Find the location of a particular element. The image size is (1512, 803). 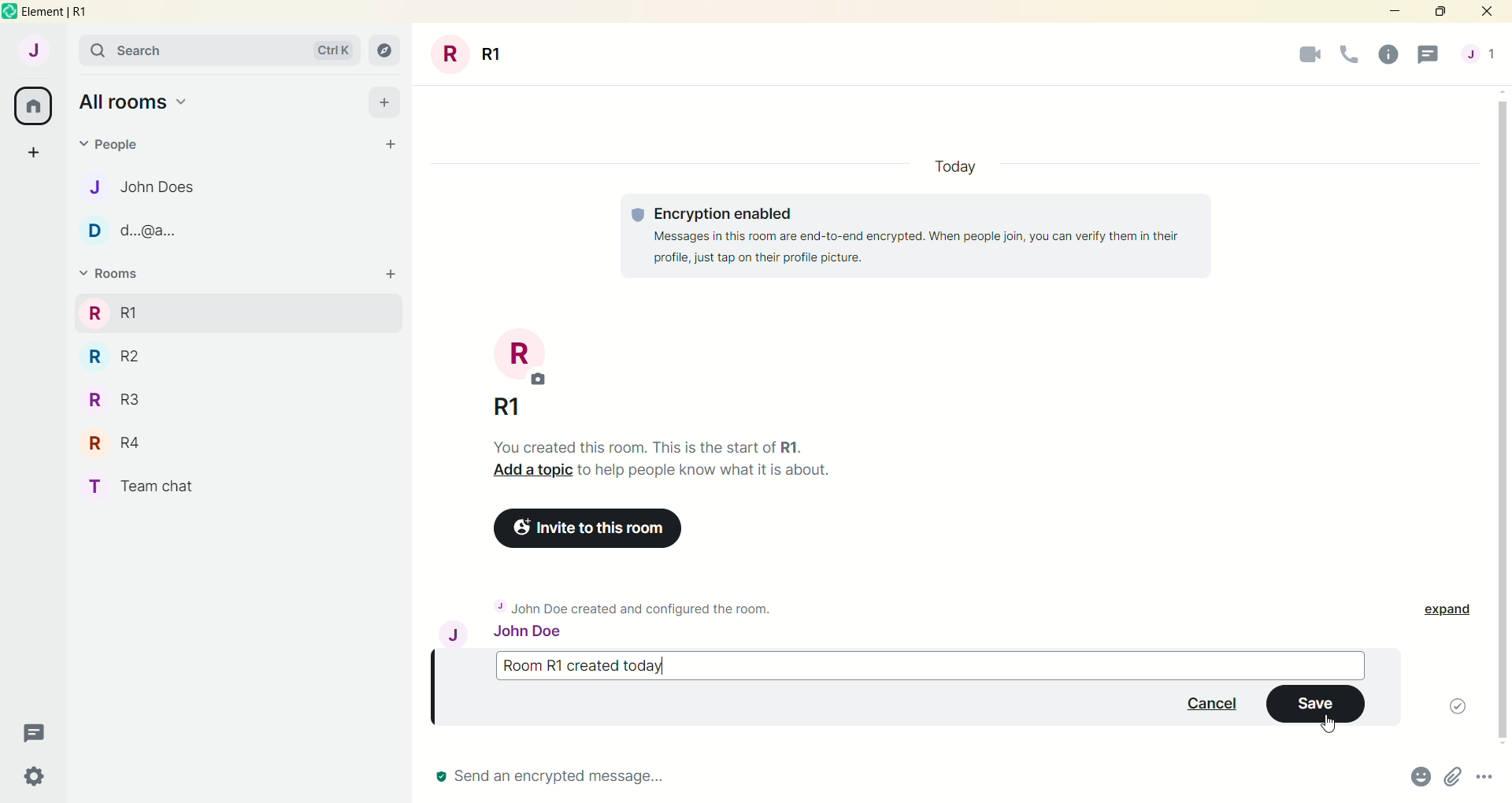

invite to this room is located at coordinates (598, 530).